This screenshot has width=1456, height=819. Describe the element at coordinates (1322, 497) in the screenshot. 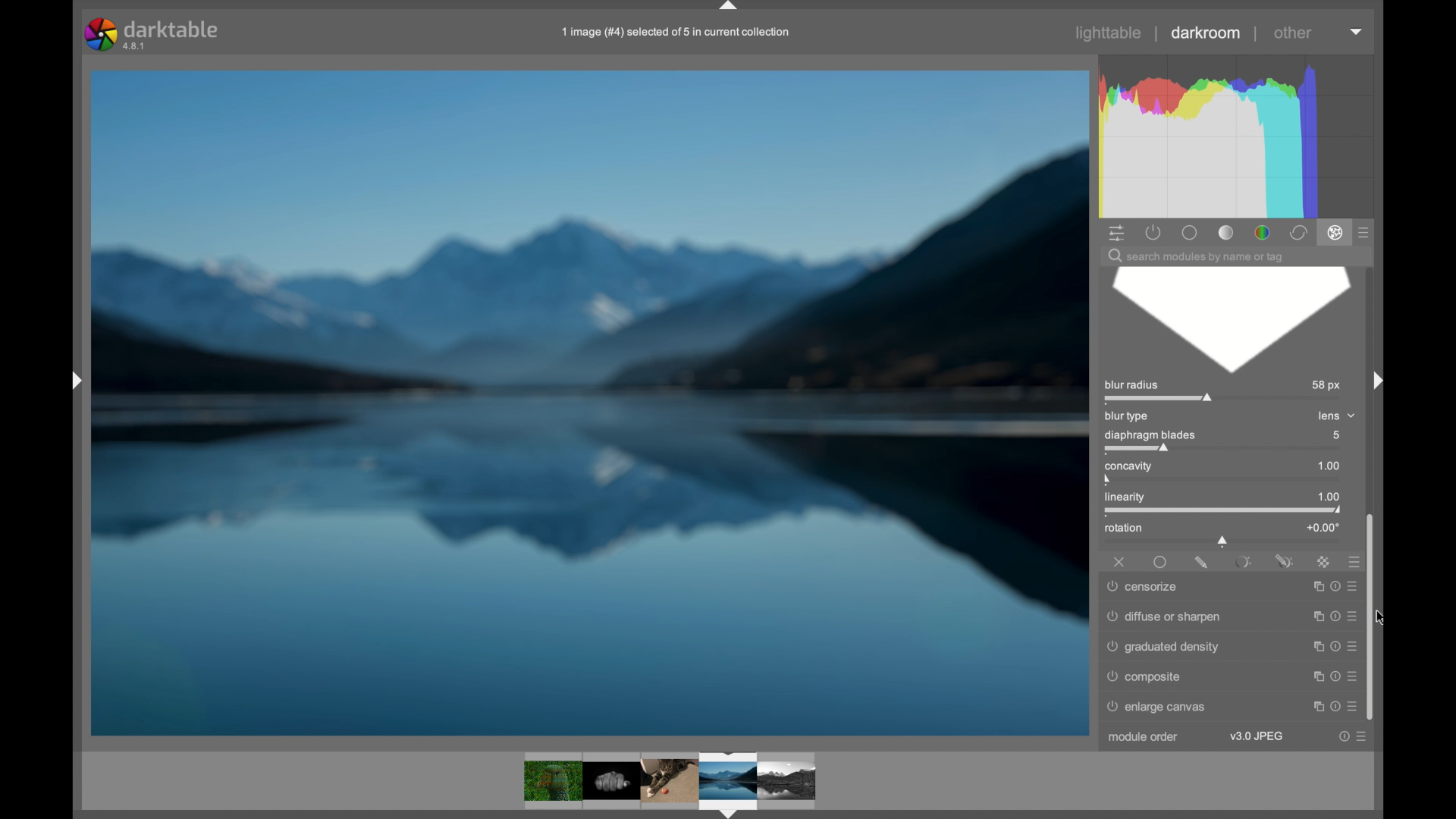

I see `1.00` at that location.